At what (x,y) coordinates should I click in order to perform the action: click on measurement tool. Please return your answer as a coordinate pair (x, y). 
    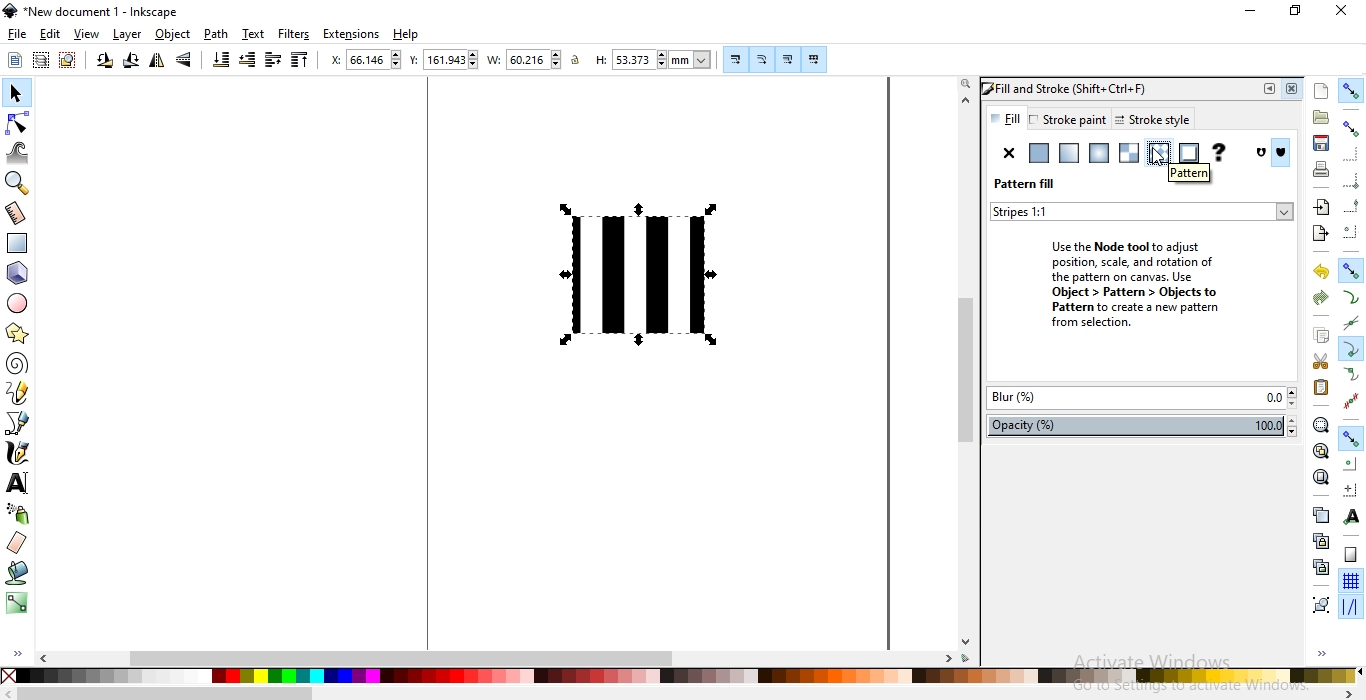
    Looking at the image, I should click on (17, 214).